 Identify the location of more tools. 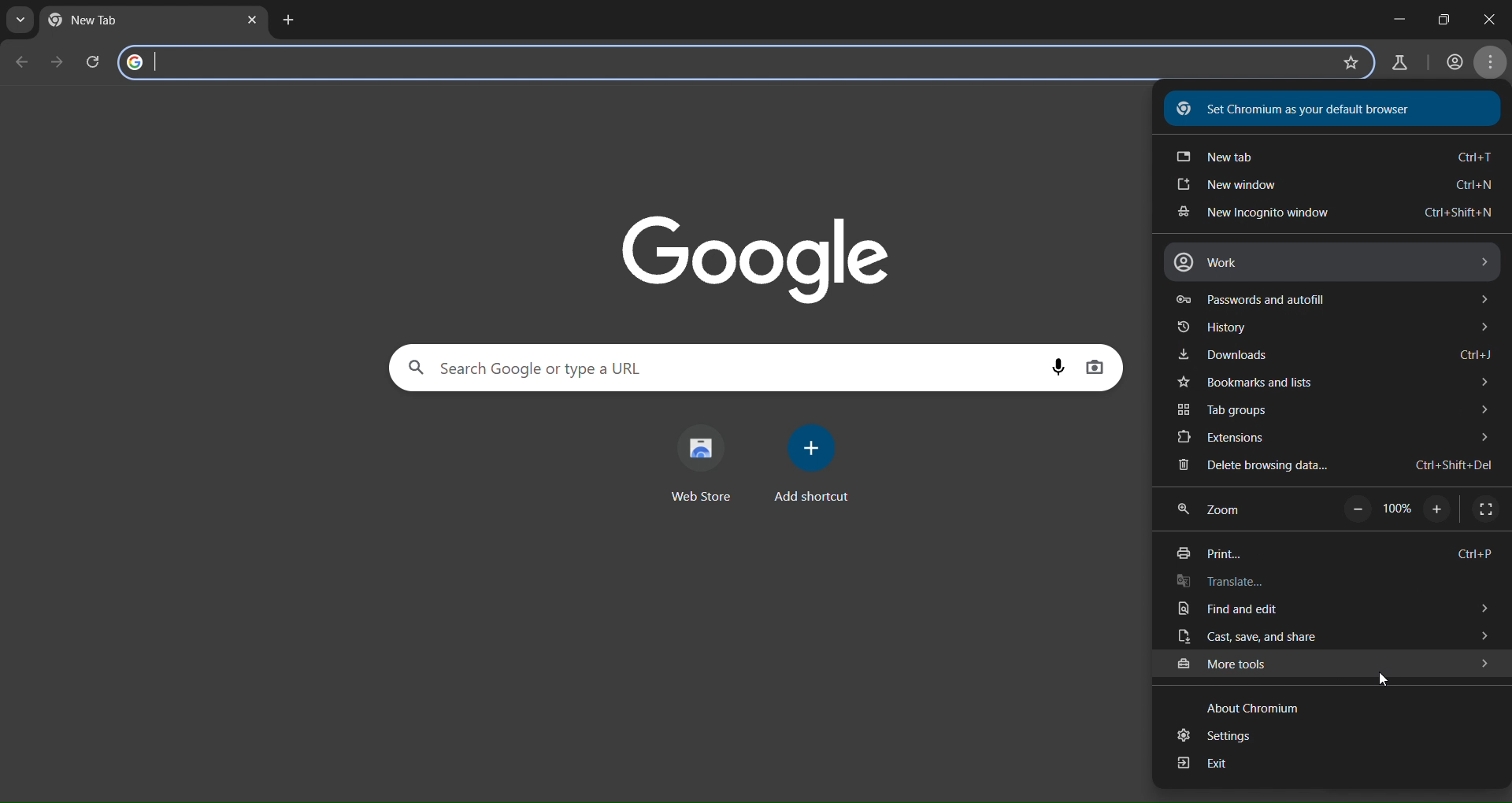
(1335, 663).